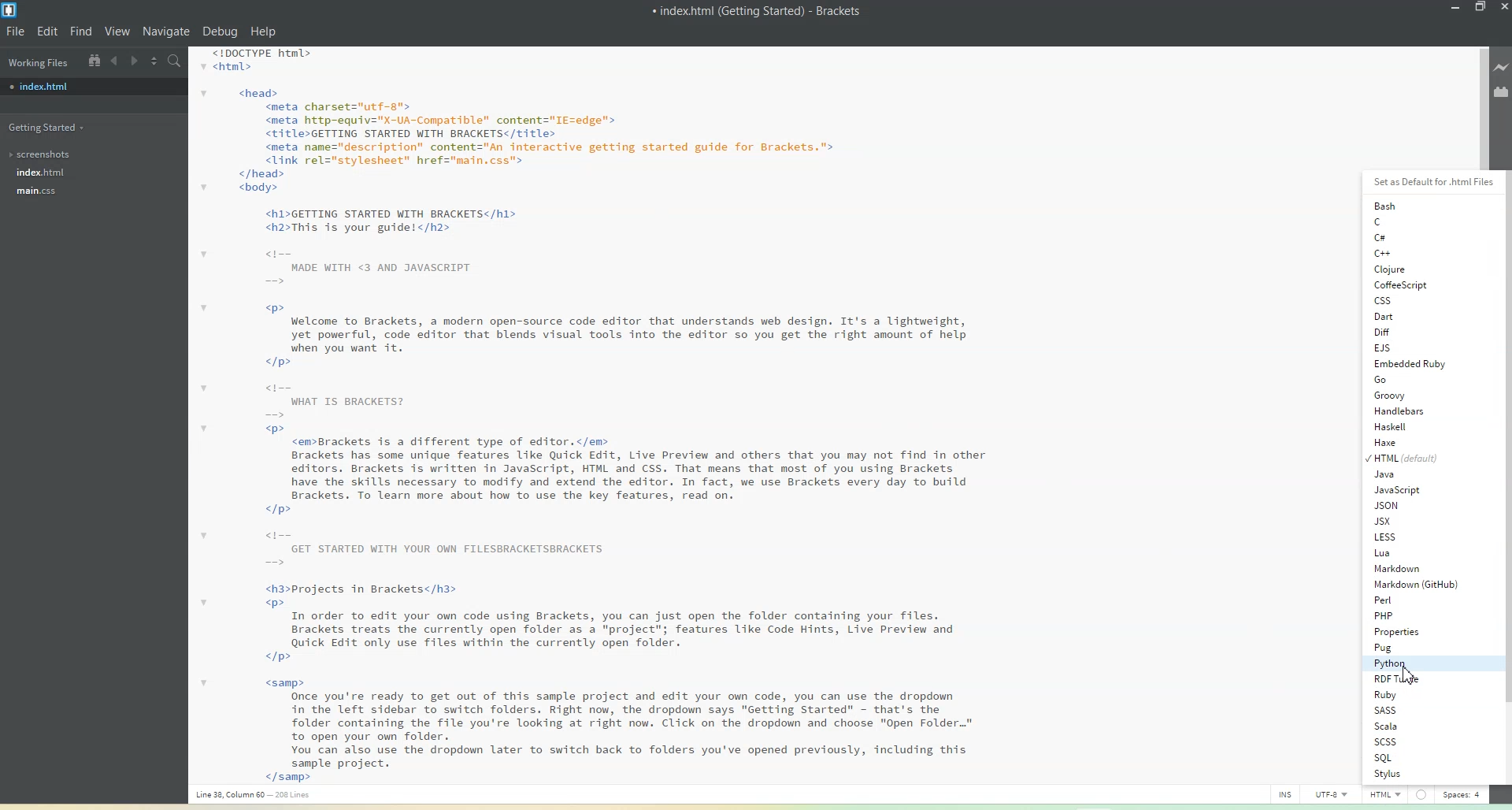 The height and width of the screenshot is (810, 1512). I want to click on C, so click(1403, 221).